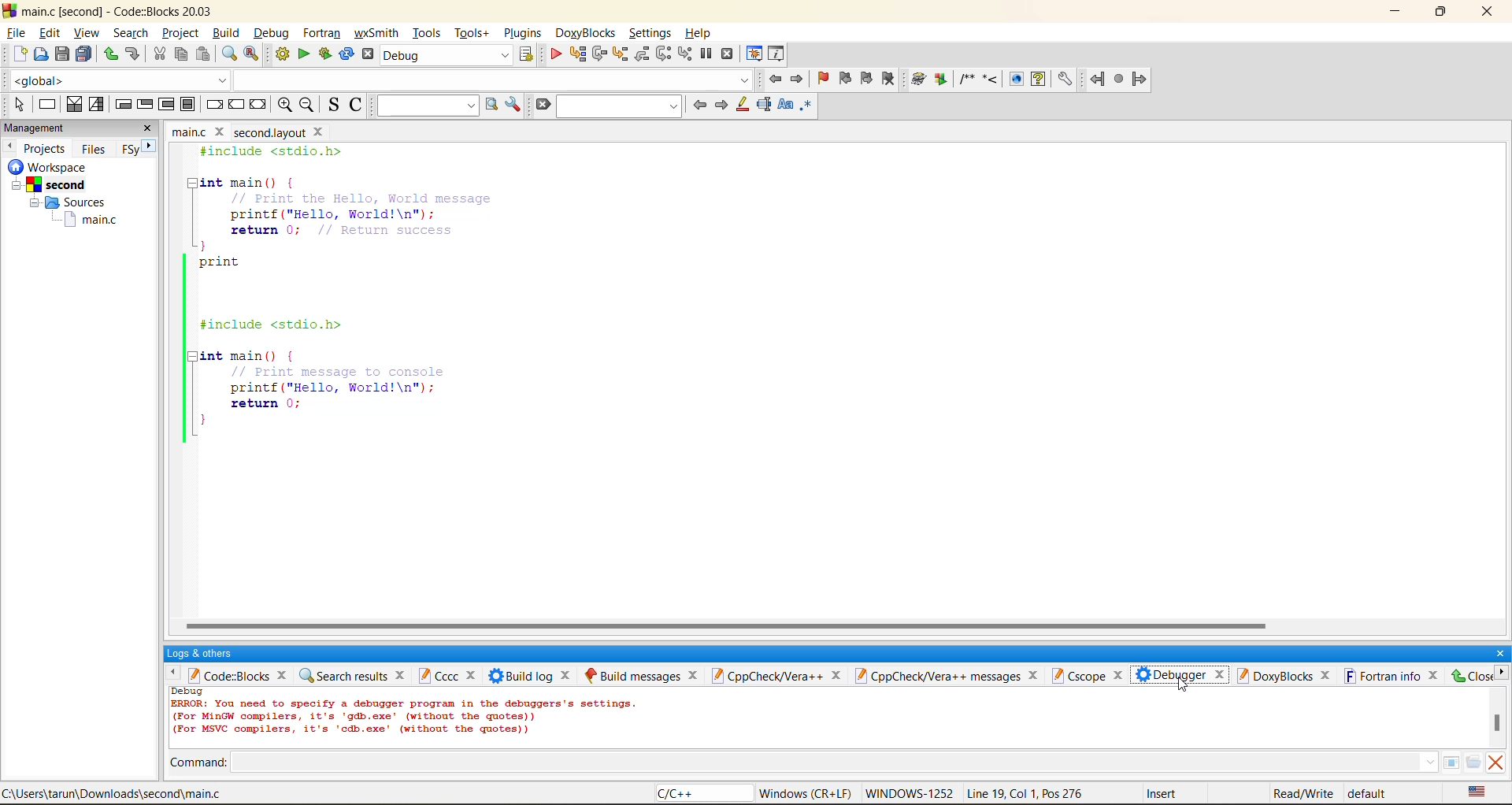 The height and width of the screenshot is (805, 1512). I want to click on toggle source, so click(333, 104).